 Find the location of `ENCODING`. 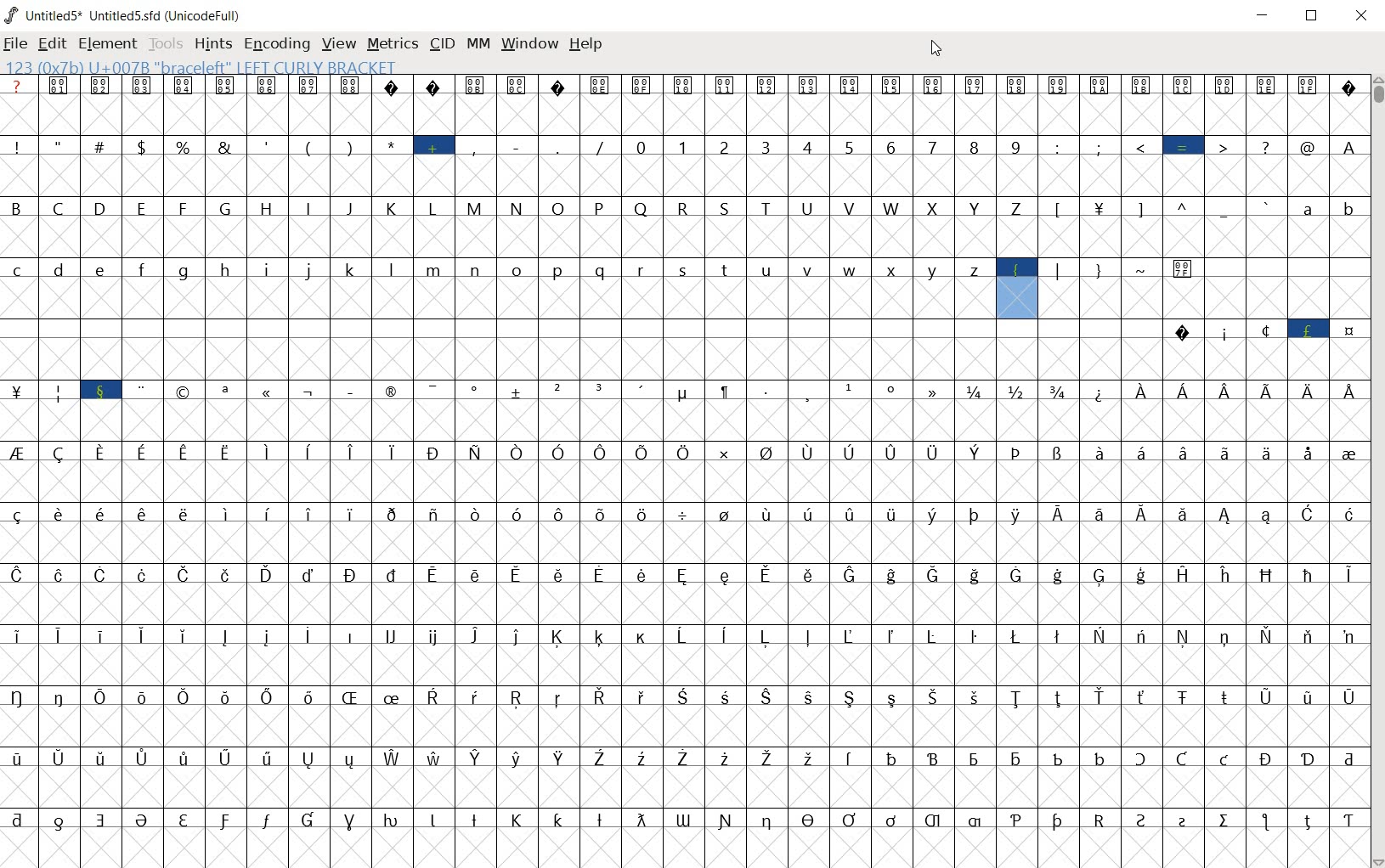

ENCODING is located at coordinates (276, 44).